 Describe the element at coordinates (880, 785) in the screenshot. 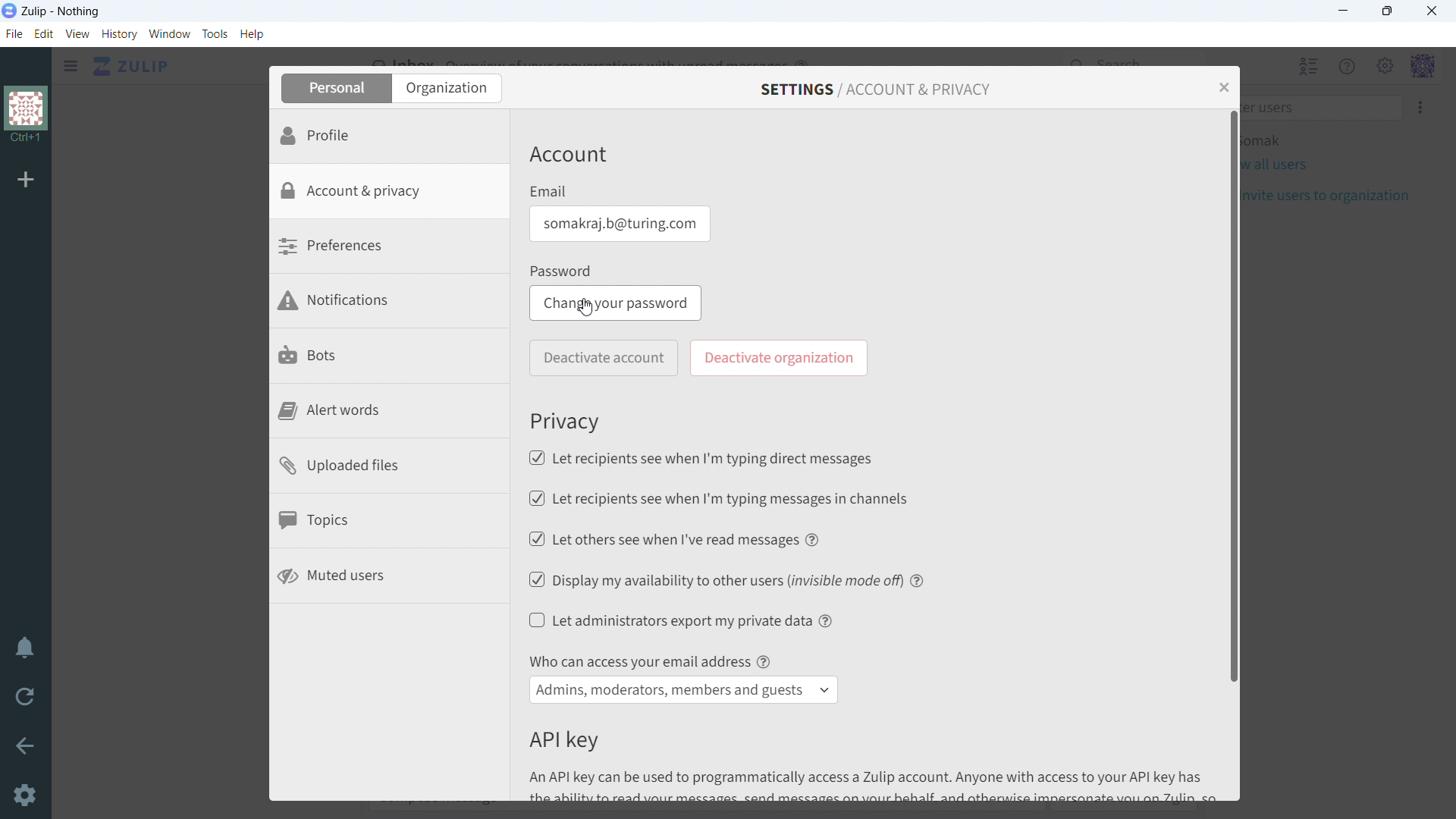

I see `An API key can be used to programmatically access a Zulip account. Anyone with access to your API key has` at that location.